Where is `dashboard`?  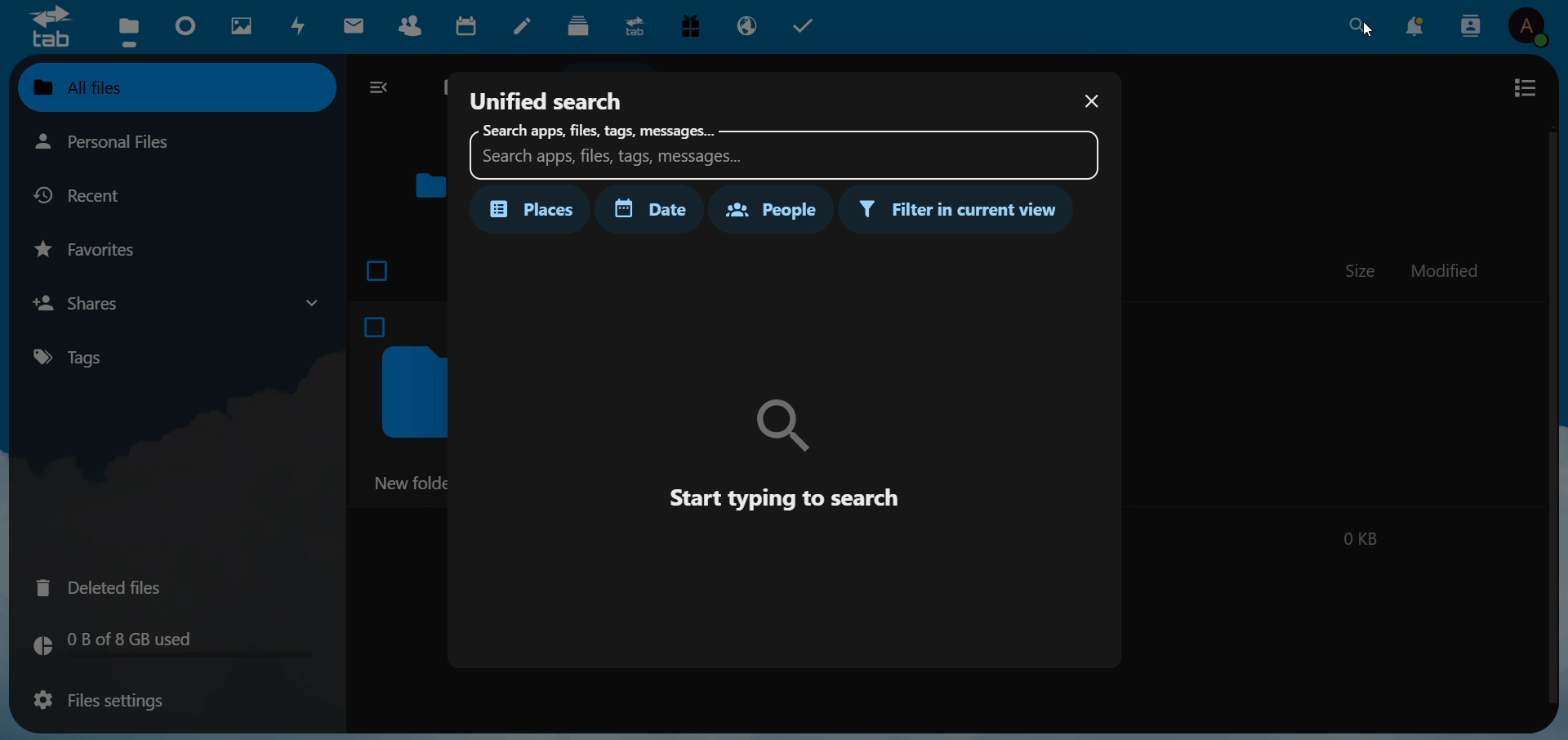 dashboard is located at coordinates (187, 27).